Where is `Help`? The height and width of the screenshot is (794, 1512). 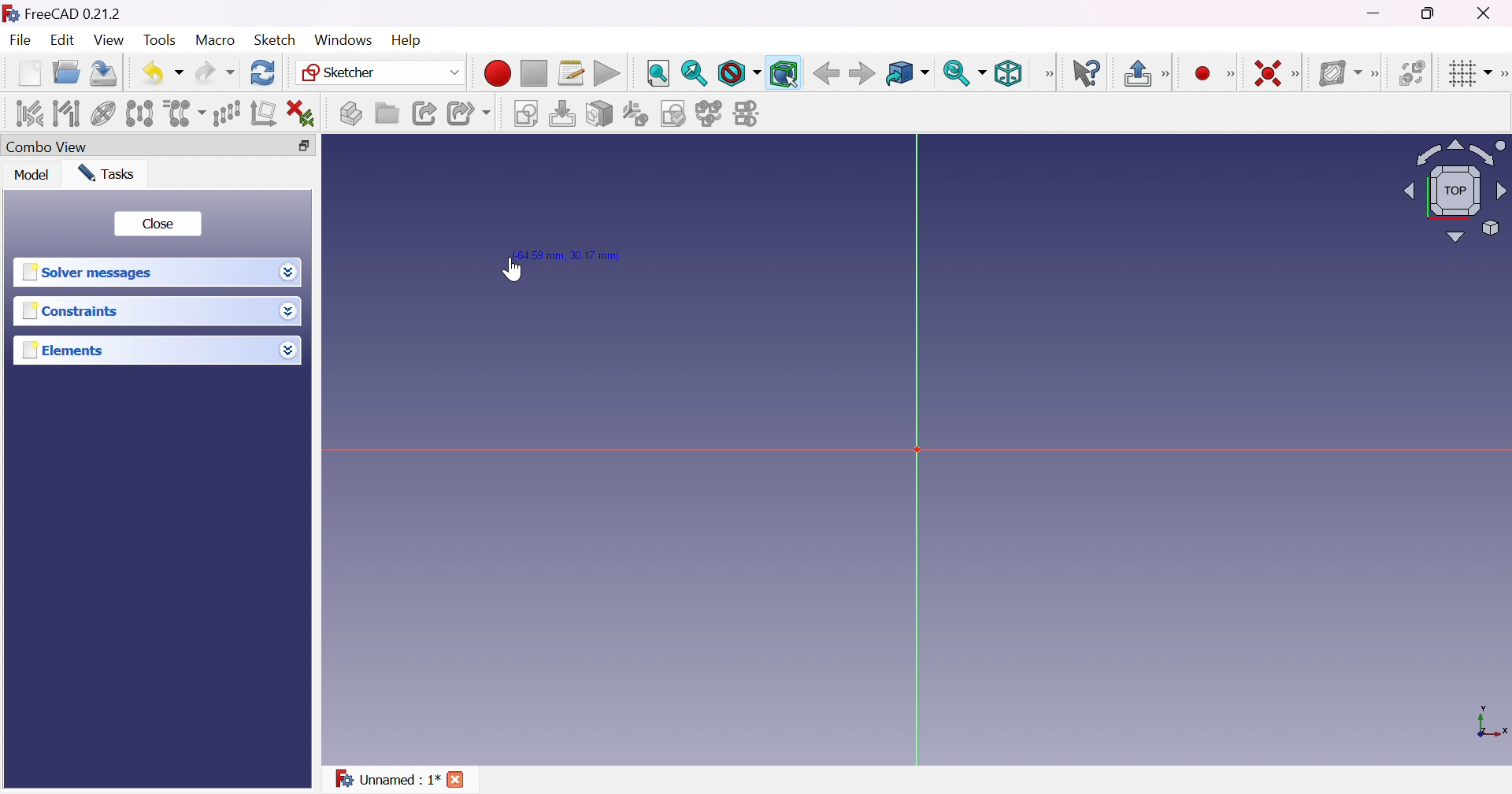 Help is located at coordinates (408, 41).